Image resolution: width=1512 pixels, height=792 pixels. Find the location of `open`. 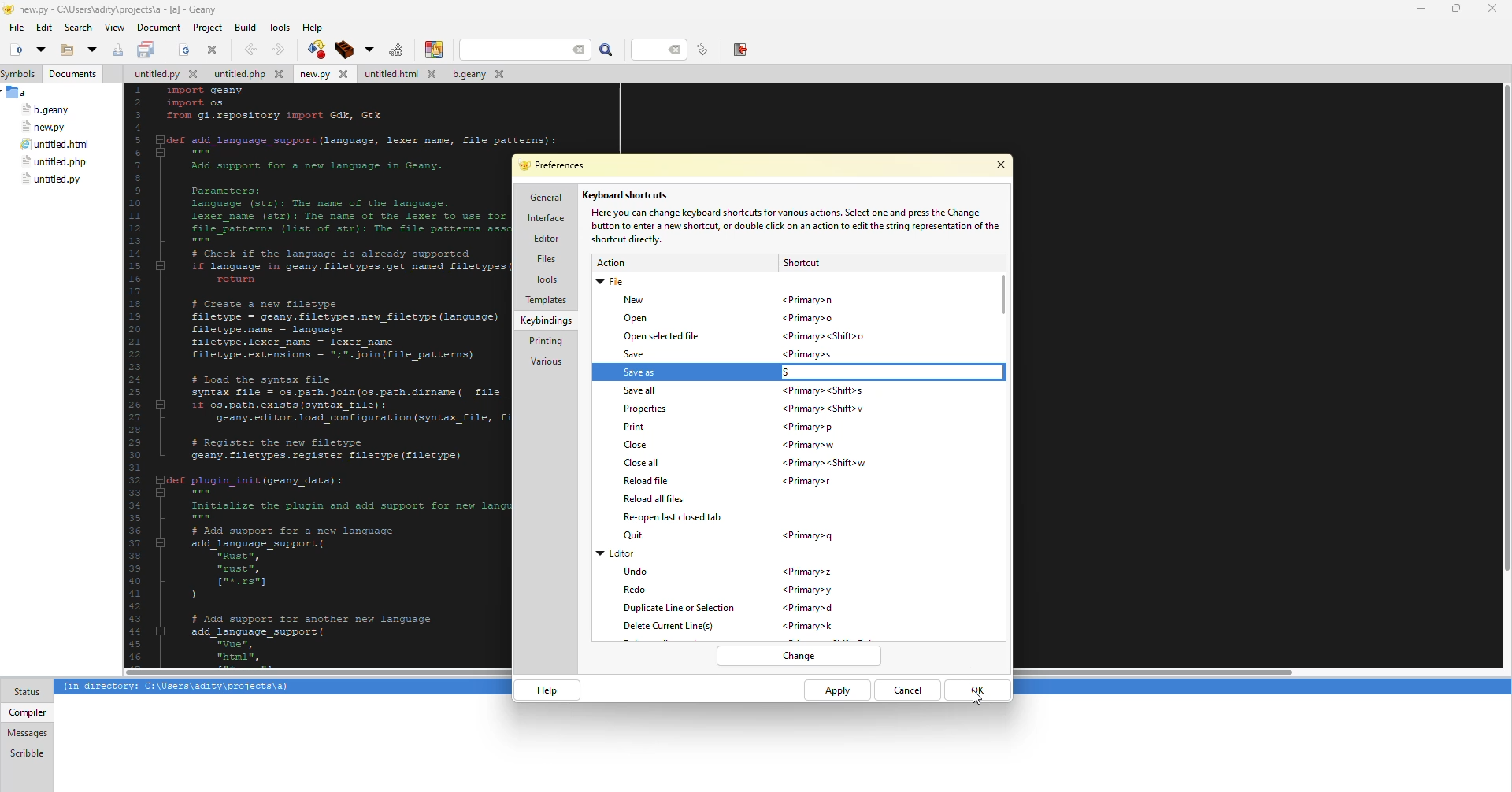

open is located at coordinates (91, 50).